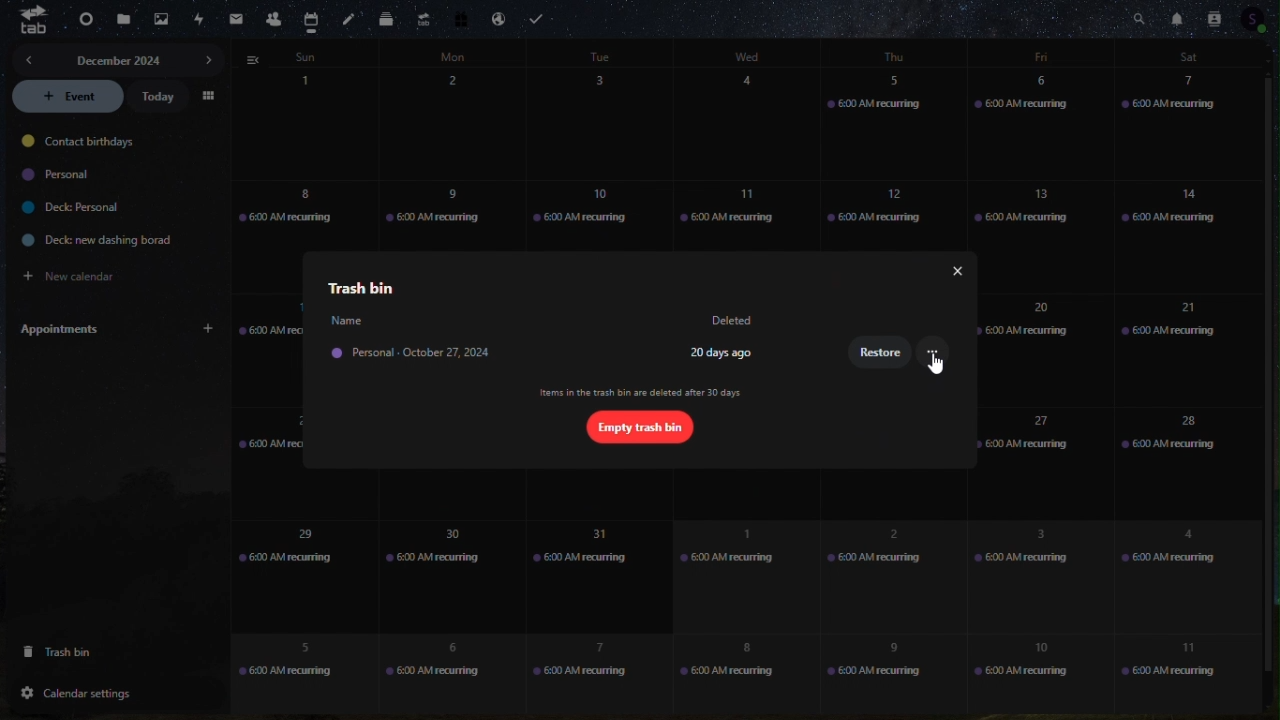 This screenshot has height=720, width=1280. Describe the element at coordinates (460, 18) in the screenshot. I see `free trail` at that location.